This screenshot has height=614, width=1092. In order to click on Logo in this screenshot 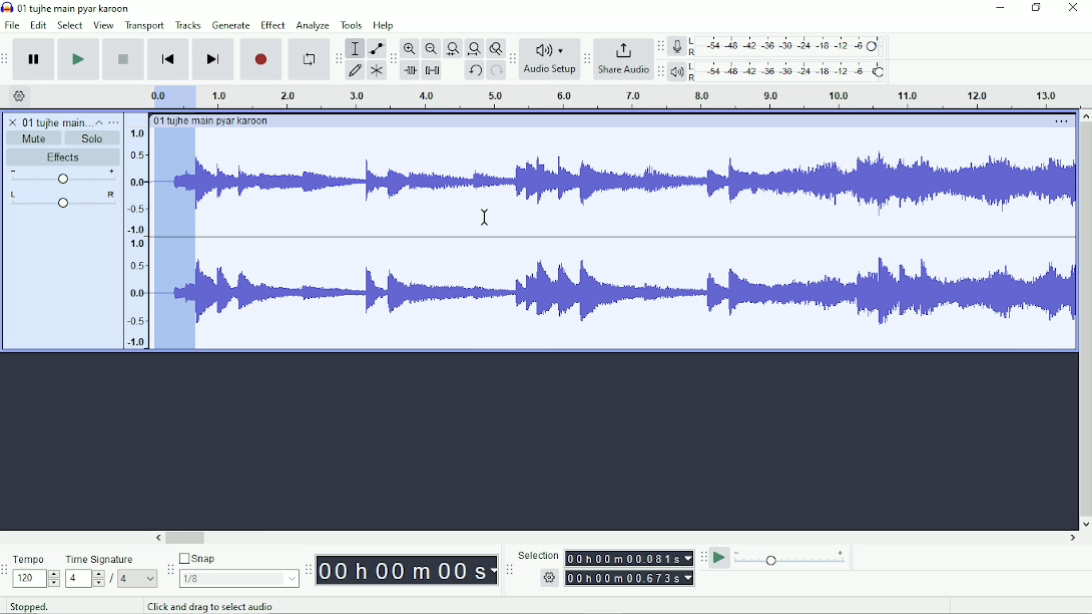, I will do `click(7, 7)`.